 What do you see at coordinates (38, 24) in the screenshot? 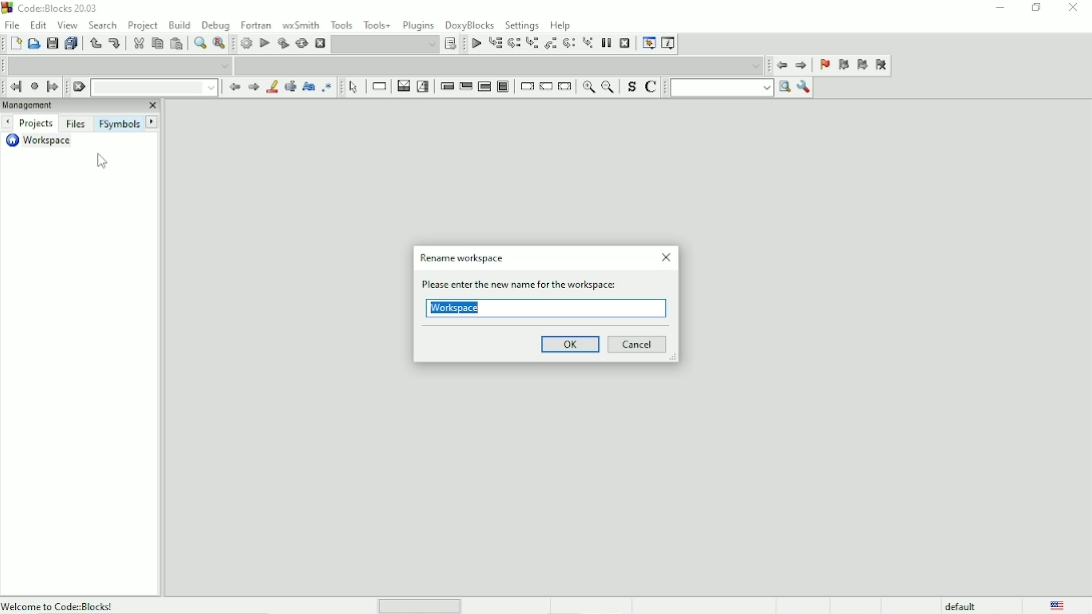
I see `Edit` at bounding box center [38, 24].